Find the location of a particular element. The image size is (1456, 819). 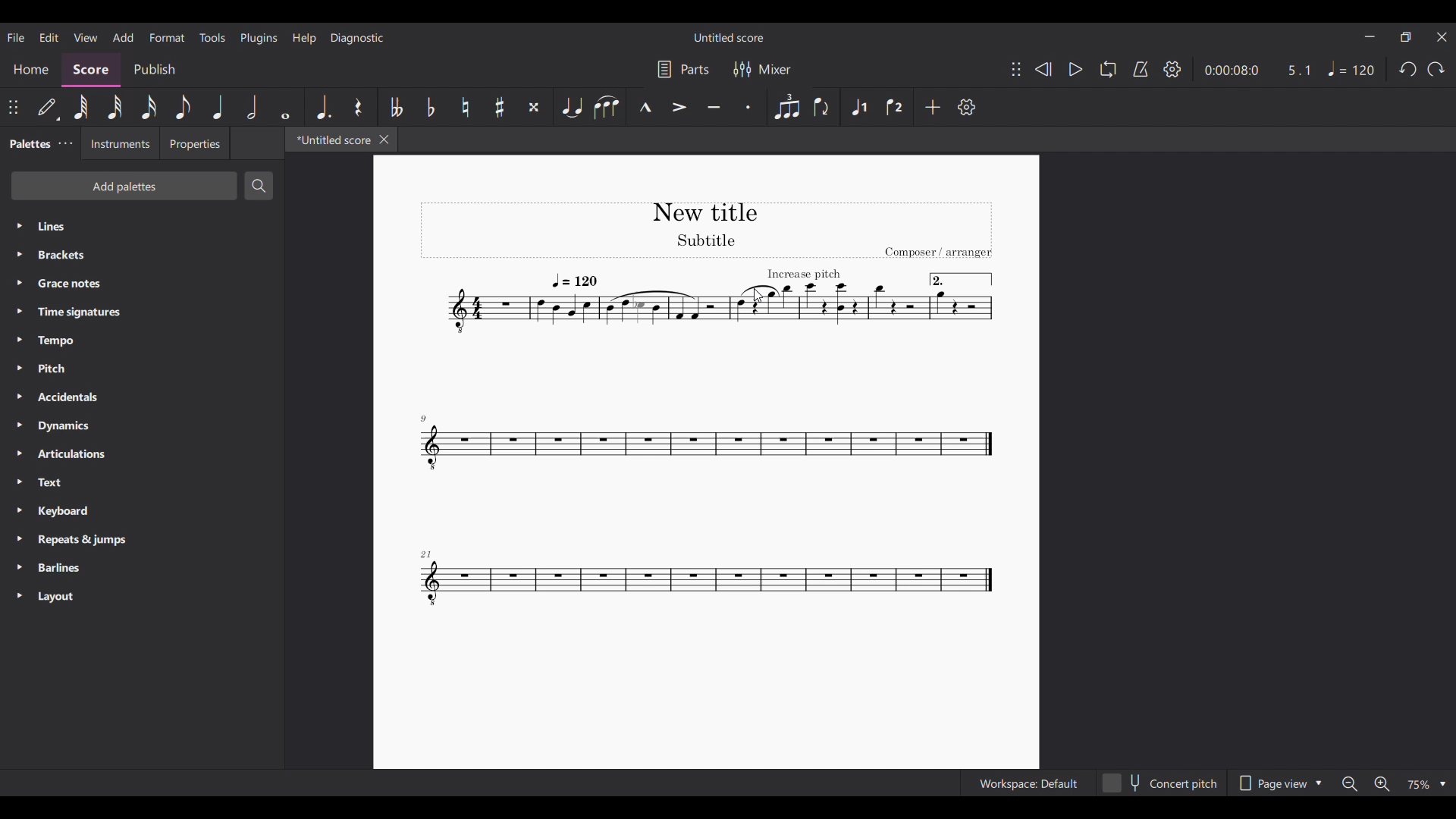

Zoom out is located at coordinates (1350, 783).